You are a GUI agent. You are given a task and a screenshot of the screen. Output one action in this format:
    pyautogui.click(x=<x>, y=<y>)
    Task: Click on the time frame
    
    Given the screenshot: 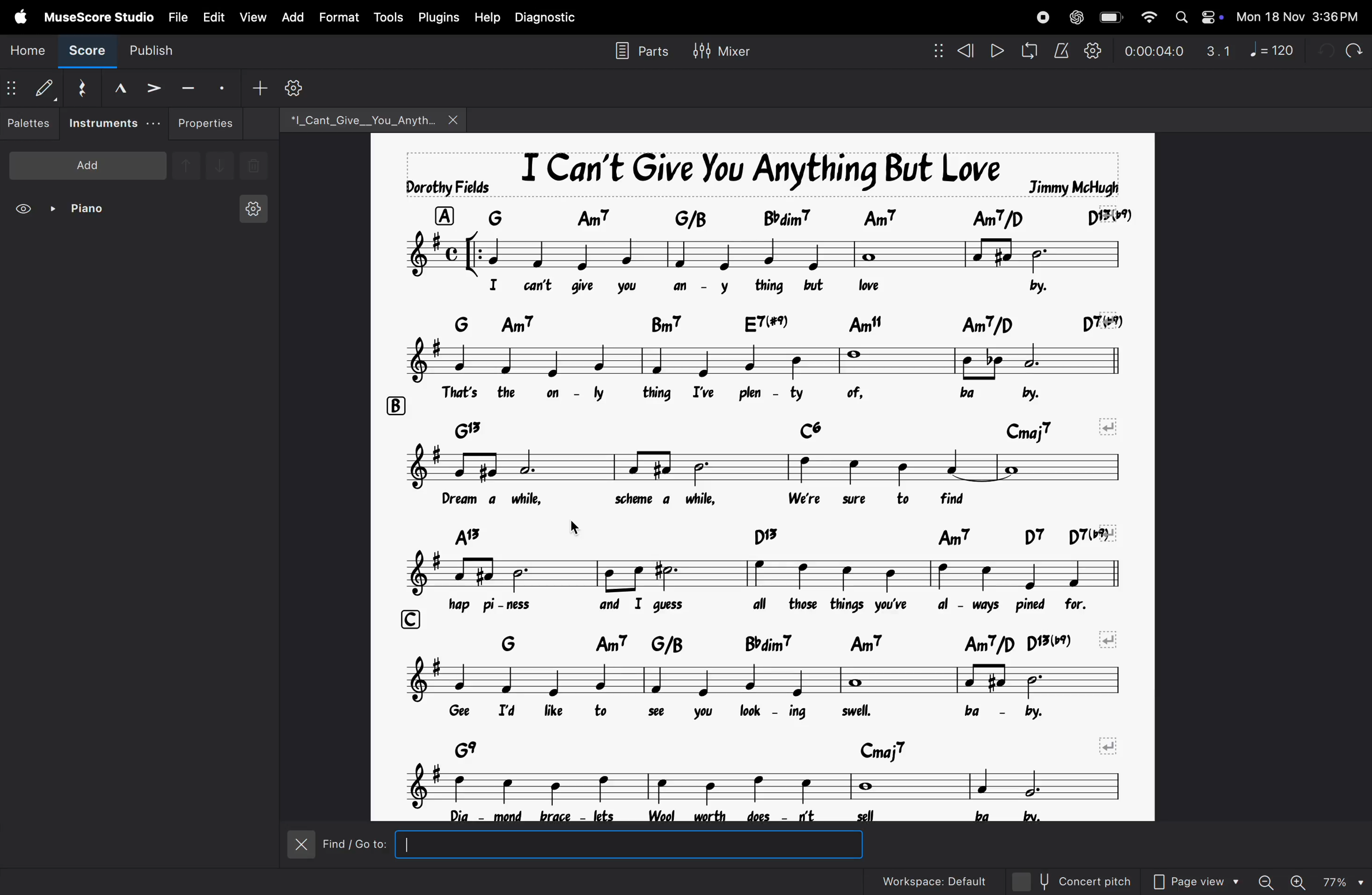 What is the action you would take?
    pyautogui.click(x=1149, y=51)
    